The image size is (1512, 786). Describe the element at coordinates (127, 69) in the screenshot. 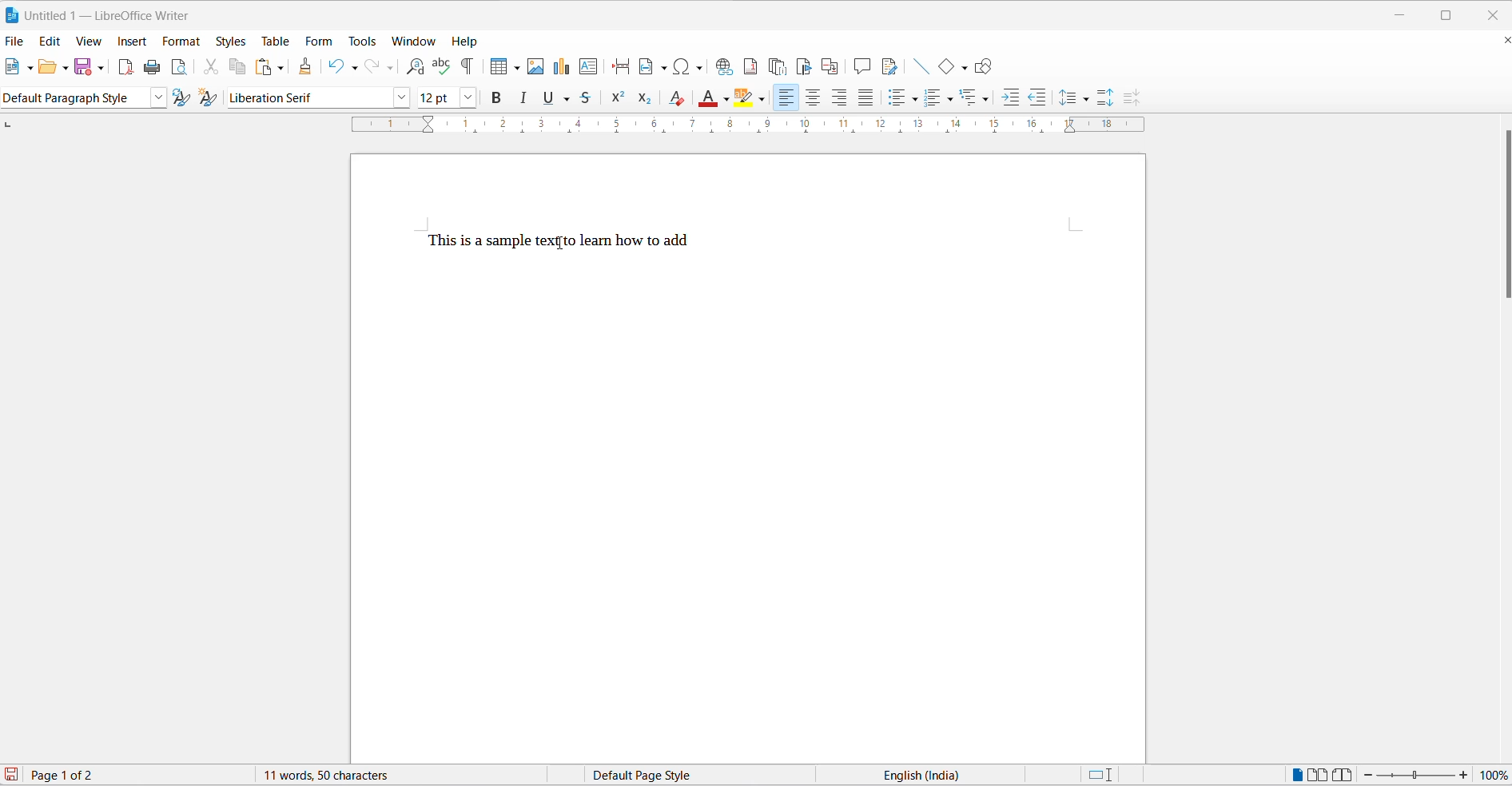

I see `export as pdf` at that location.